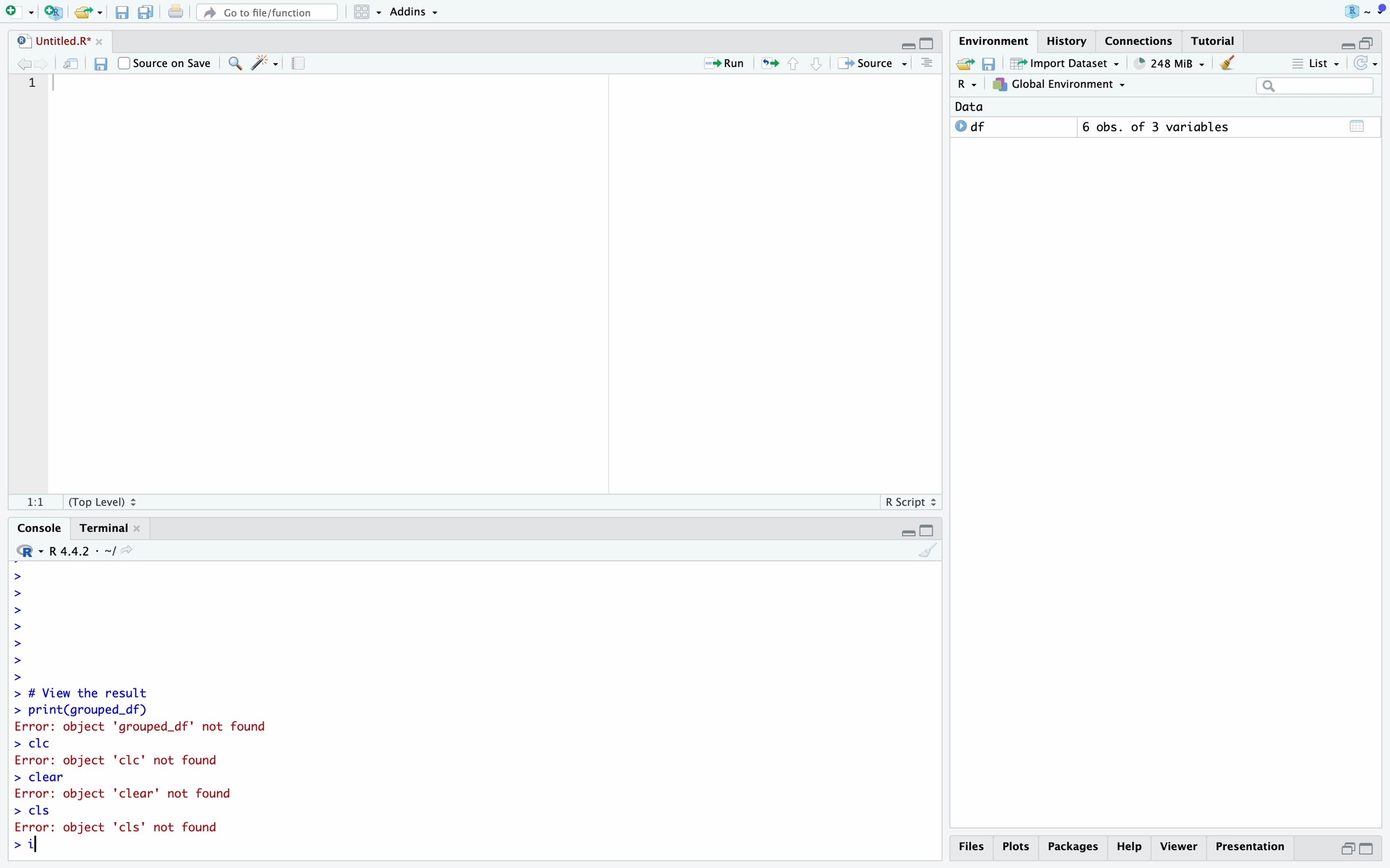 The height and width of the screenshot is (868, 1390). What do you see at coordinates (414, 11) in the screenshot?
I see `Addins` at bounding box center [414, 11].